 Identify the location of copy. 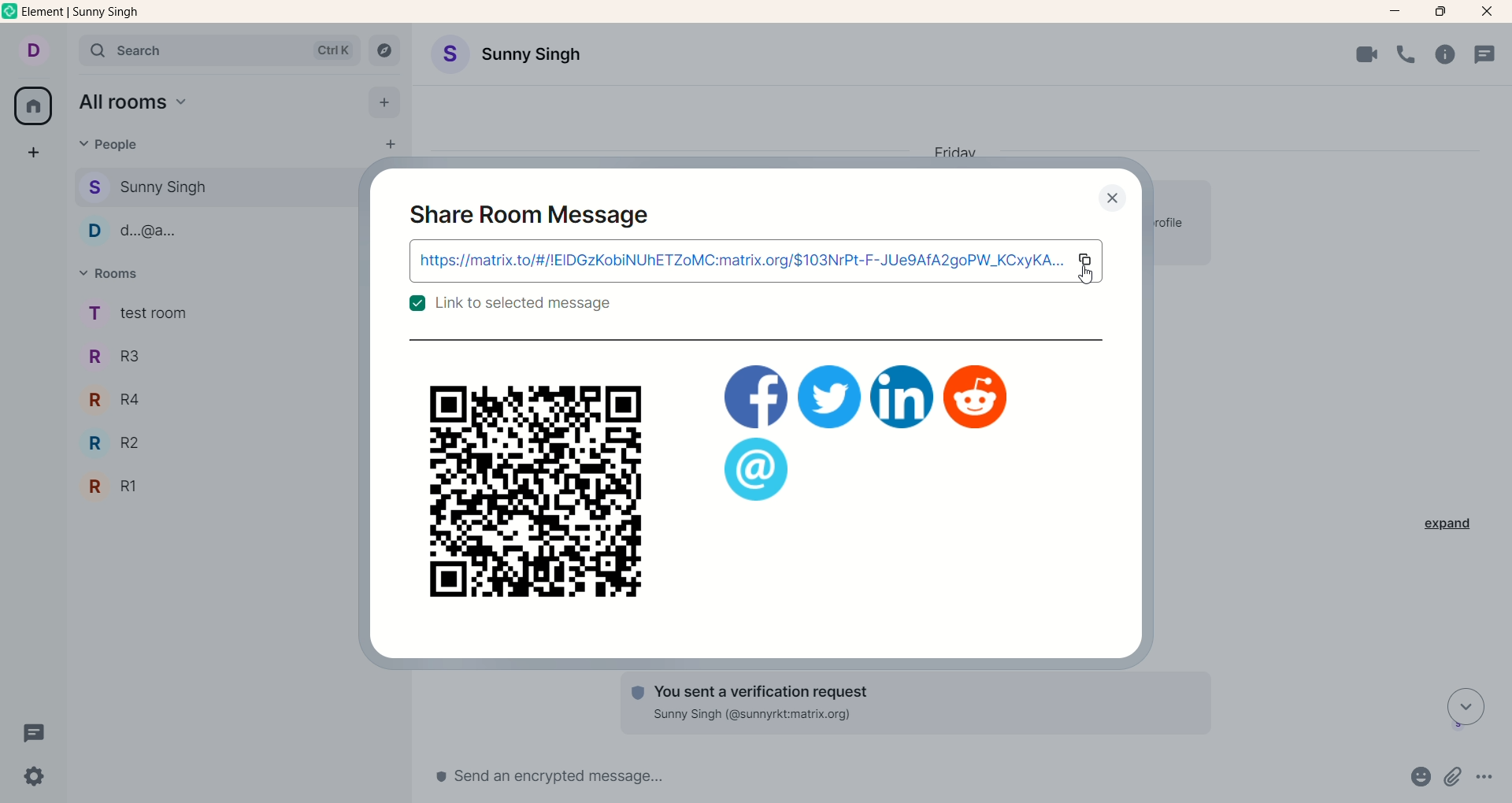
(1089, 260).